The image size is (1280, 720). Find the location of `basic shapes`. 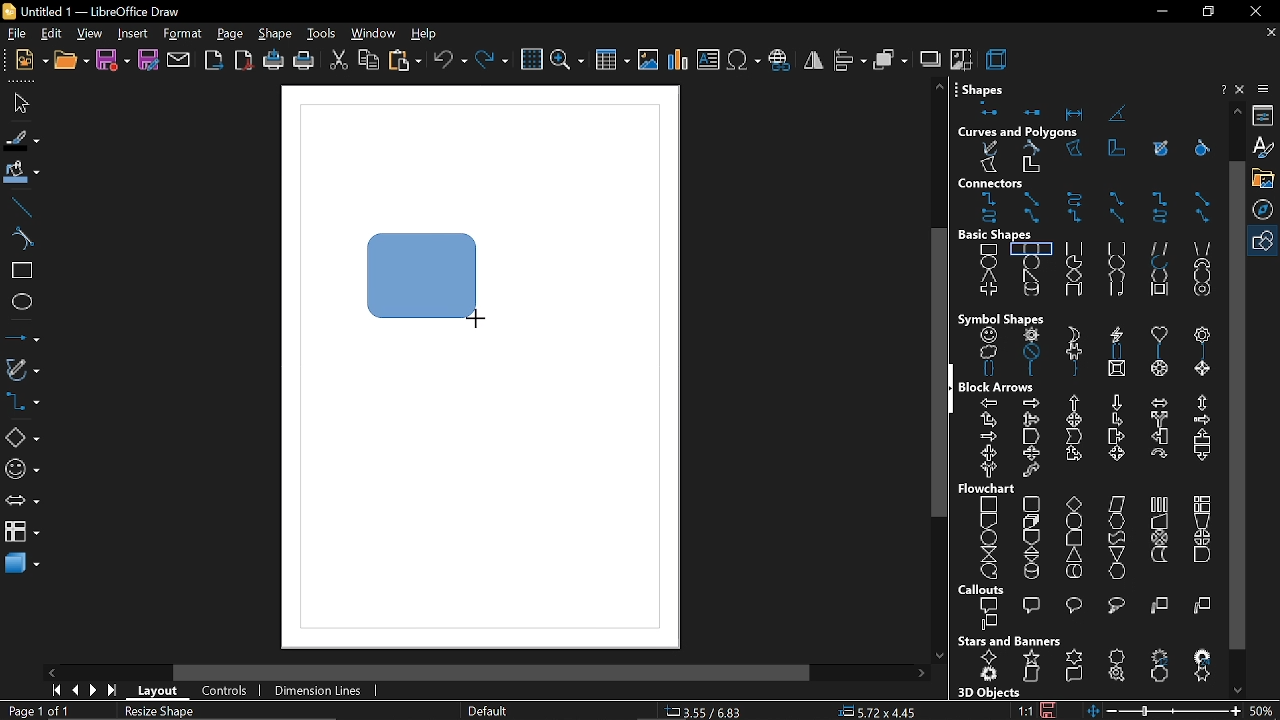

basic shapes is located at coordinates (1007, 235).